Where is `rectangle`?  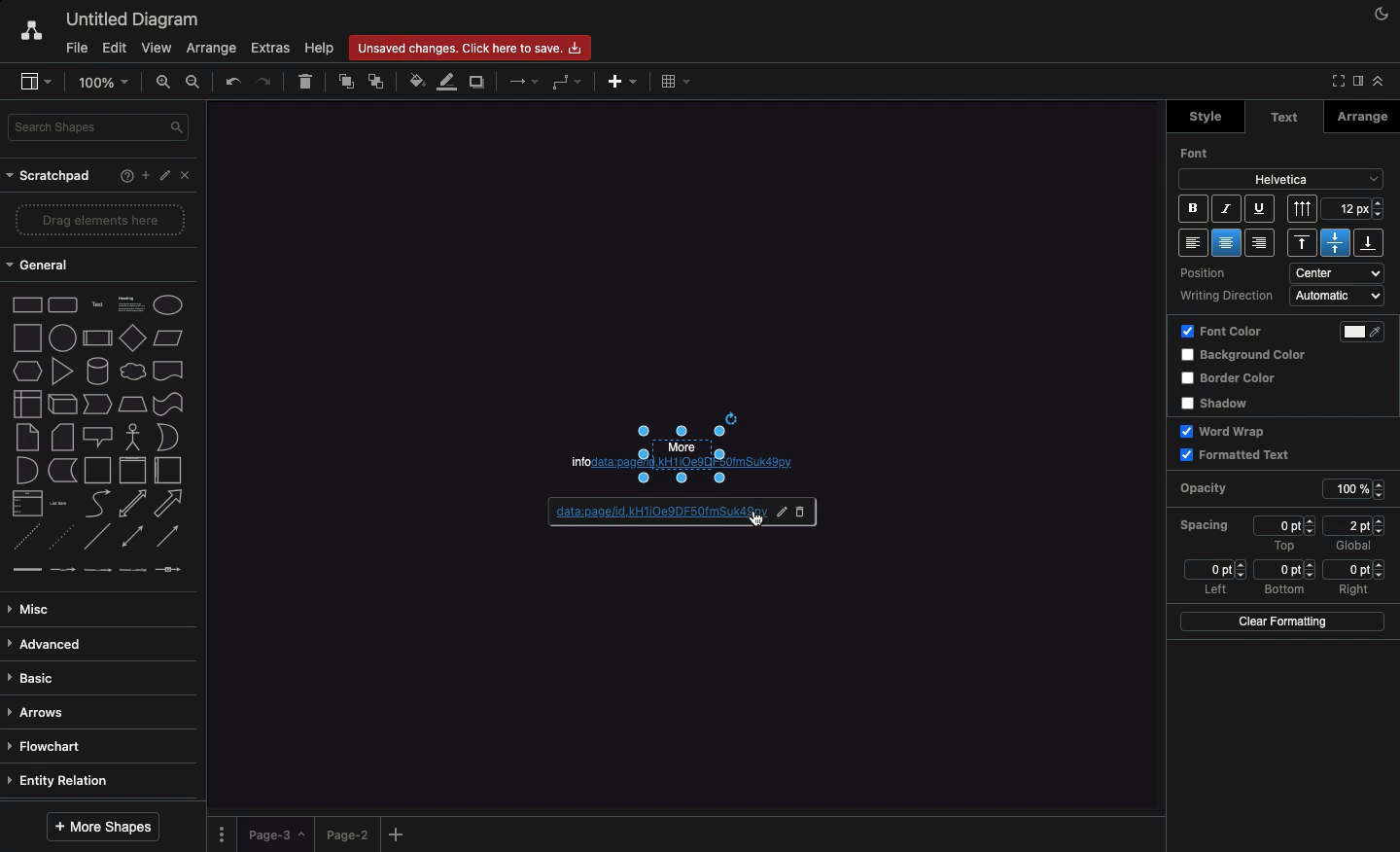
rectangle is located at coordinates (28, 304).